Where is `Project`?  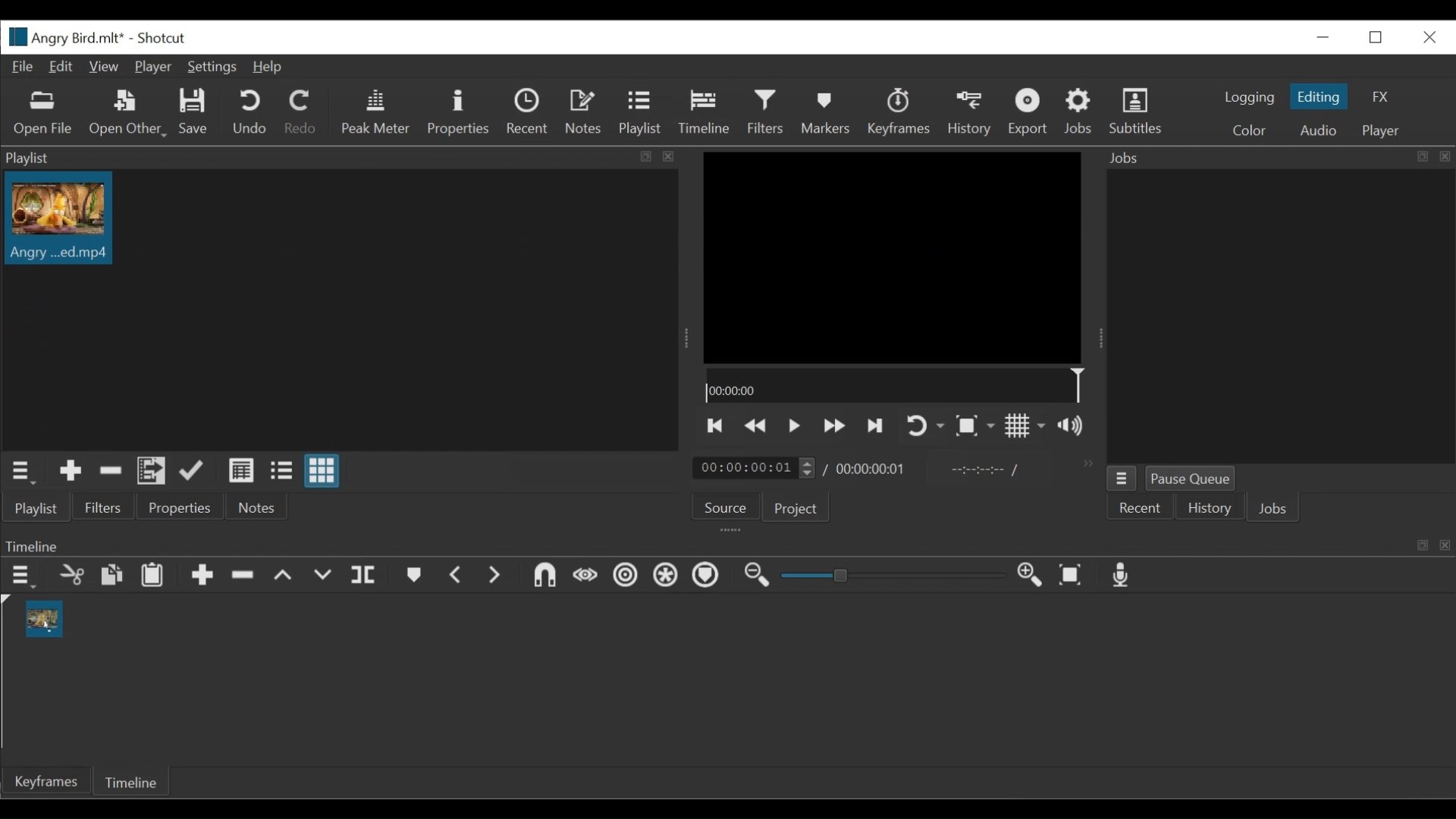
Project is located at coordinates (797, 510).